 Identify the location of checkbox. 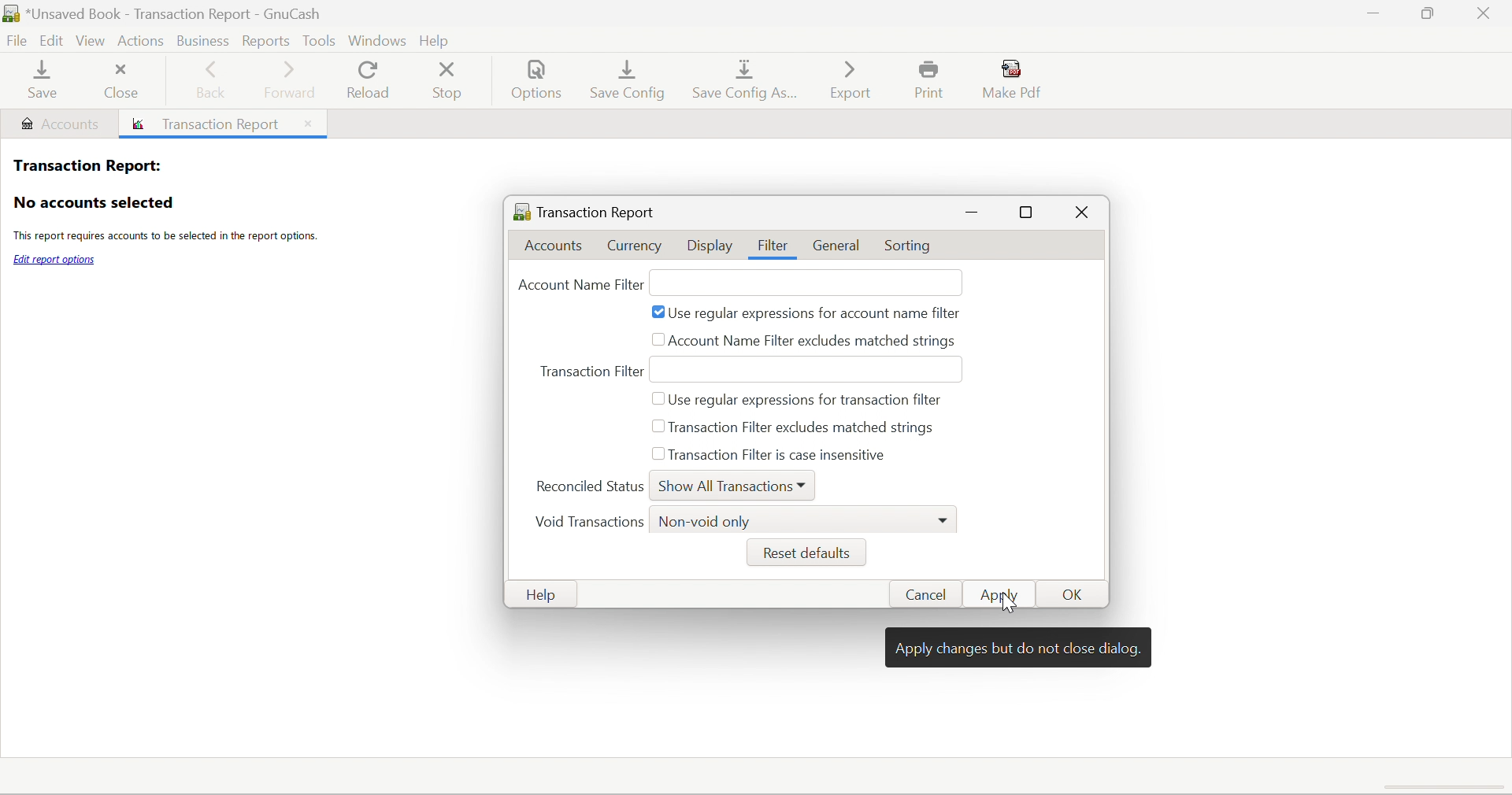
(658, 338).